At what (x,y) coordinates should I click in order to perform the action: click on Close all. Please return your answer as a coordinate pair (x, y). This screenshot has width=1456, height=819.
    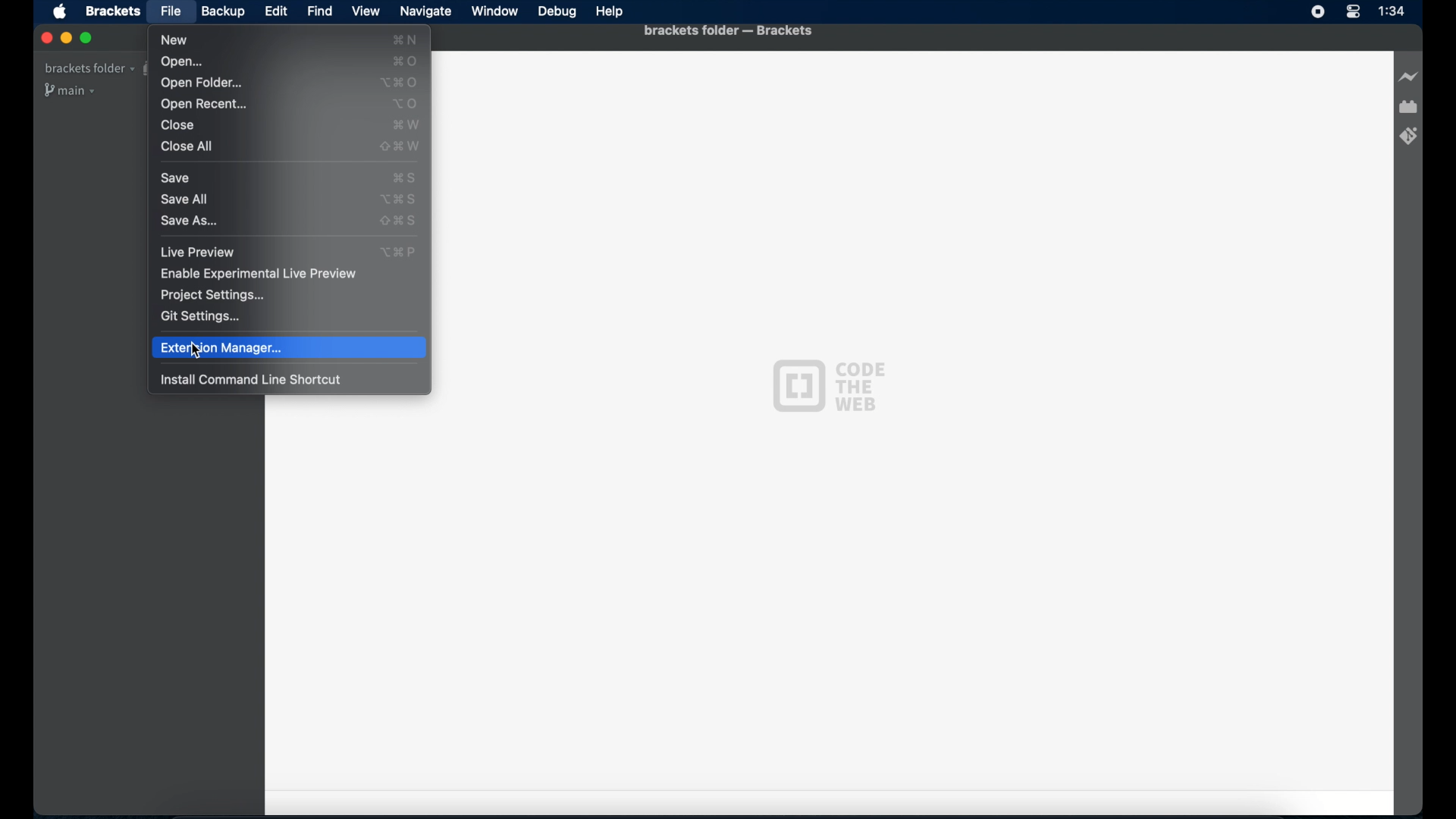
    Looking at the image, I should click on (188, 146).